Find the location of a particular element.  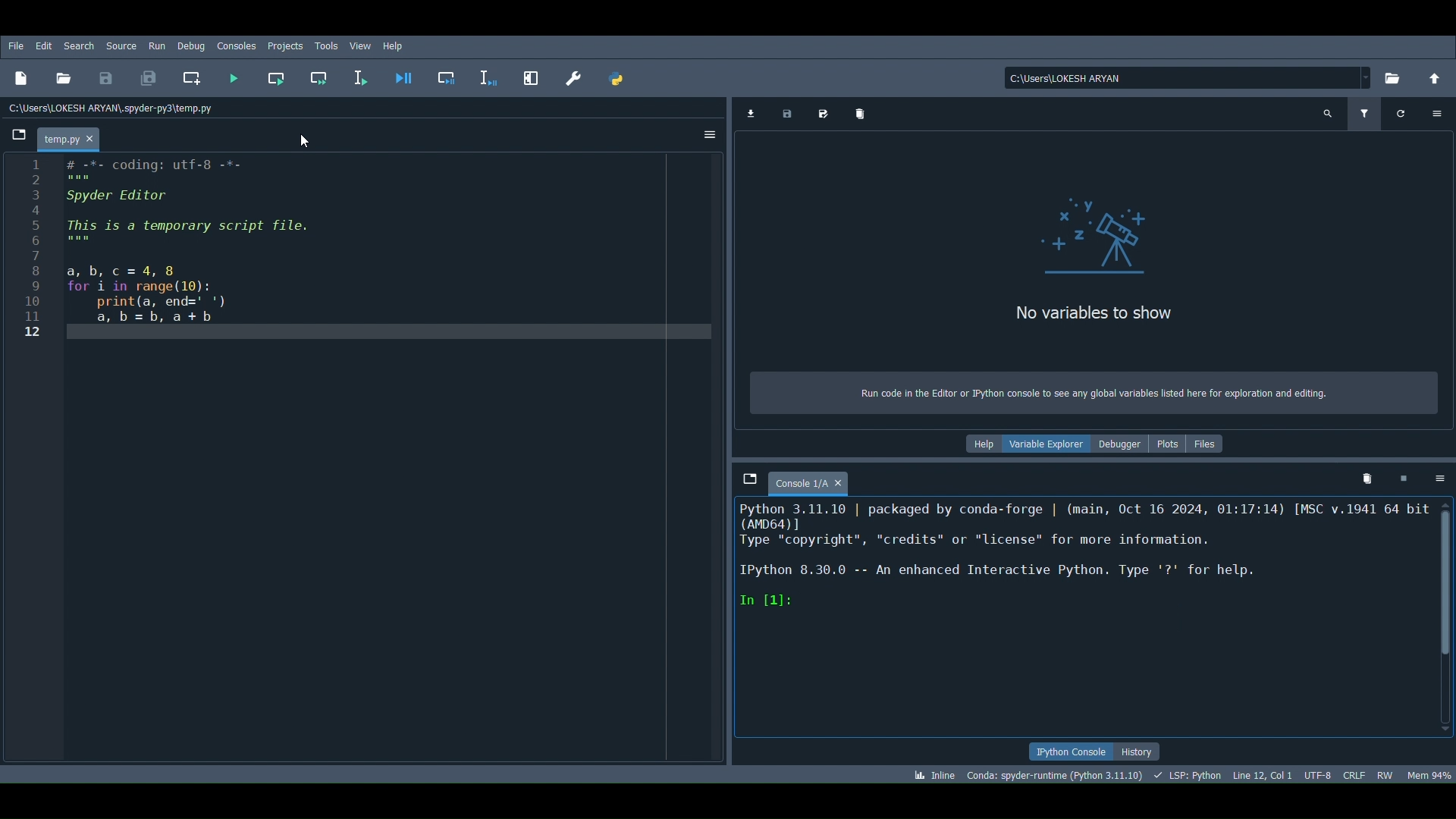

Visual element is located at coordinates (1108, 230).